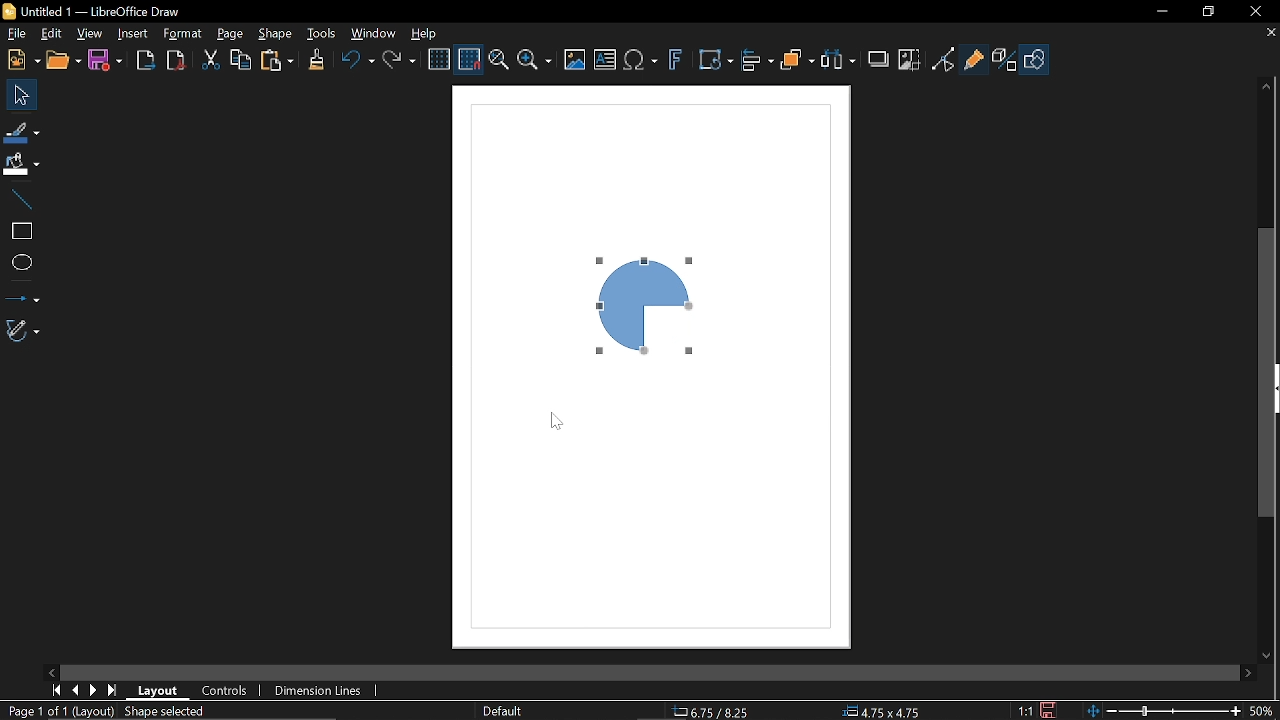 This screenshot has height=720, width=1280. Describe the element at coordinates (316, 60) in the screenshot. I see `Clone` at that location.